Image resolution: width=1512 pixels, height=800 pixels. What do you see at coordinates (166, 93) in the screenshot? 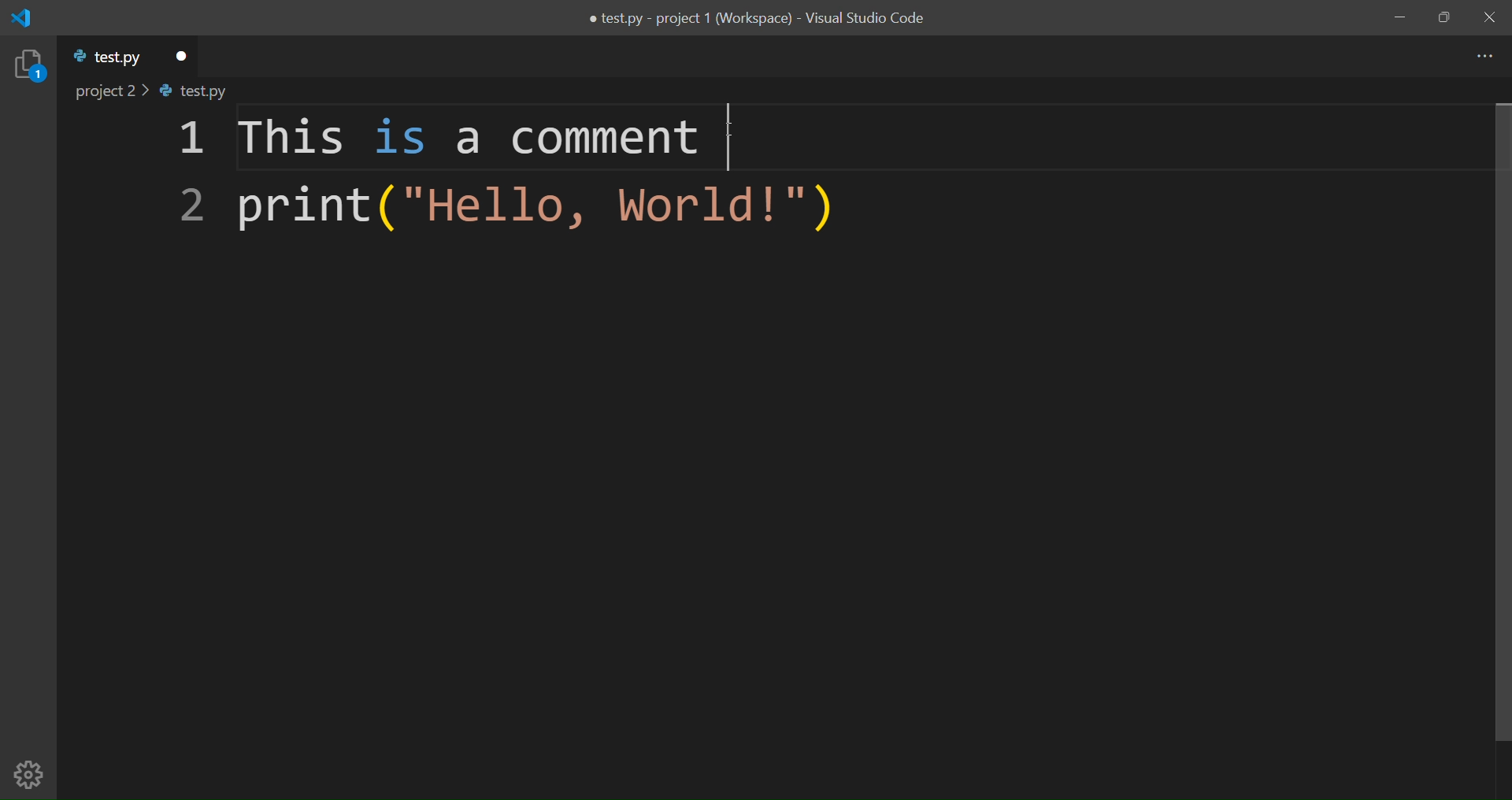
I see `path` at bounding box center [166, 93].